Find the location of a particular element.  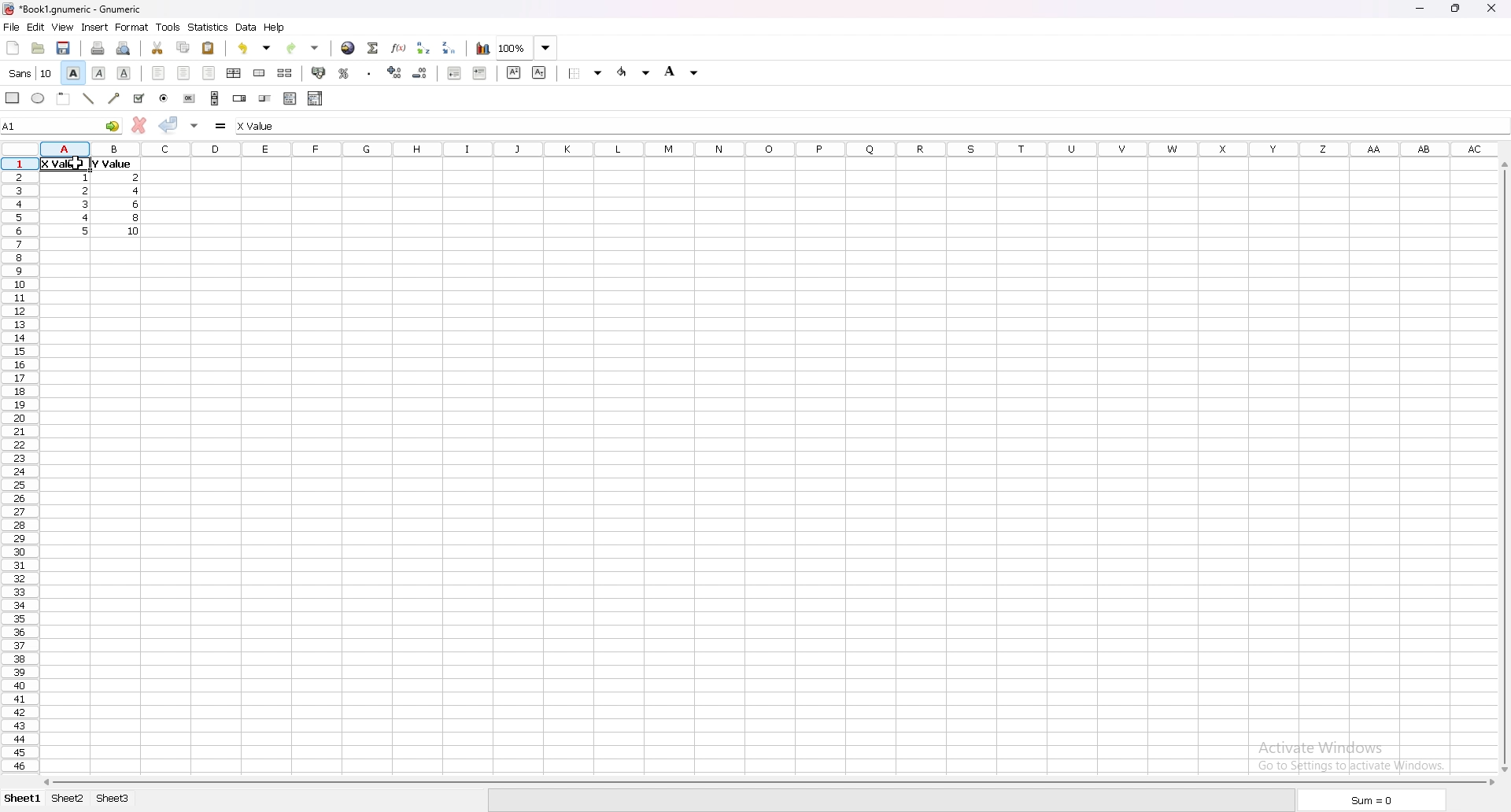

foreground is located at coordinates (635, 72).